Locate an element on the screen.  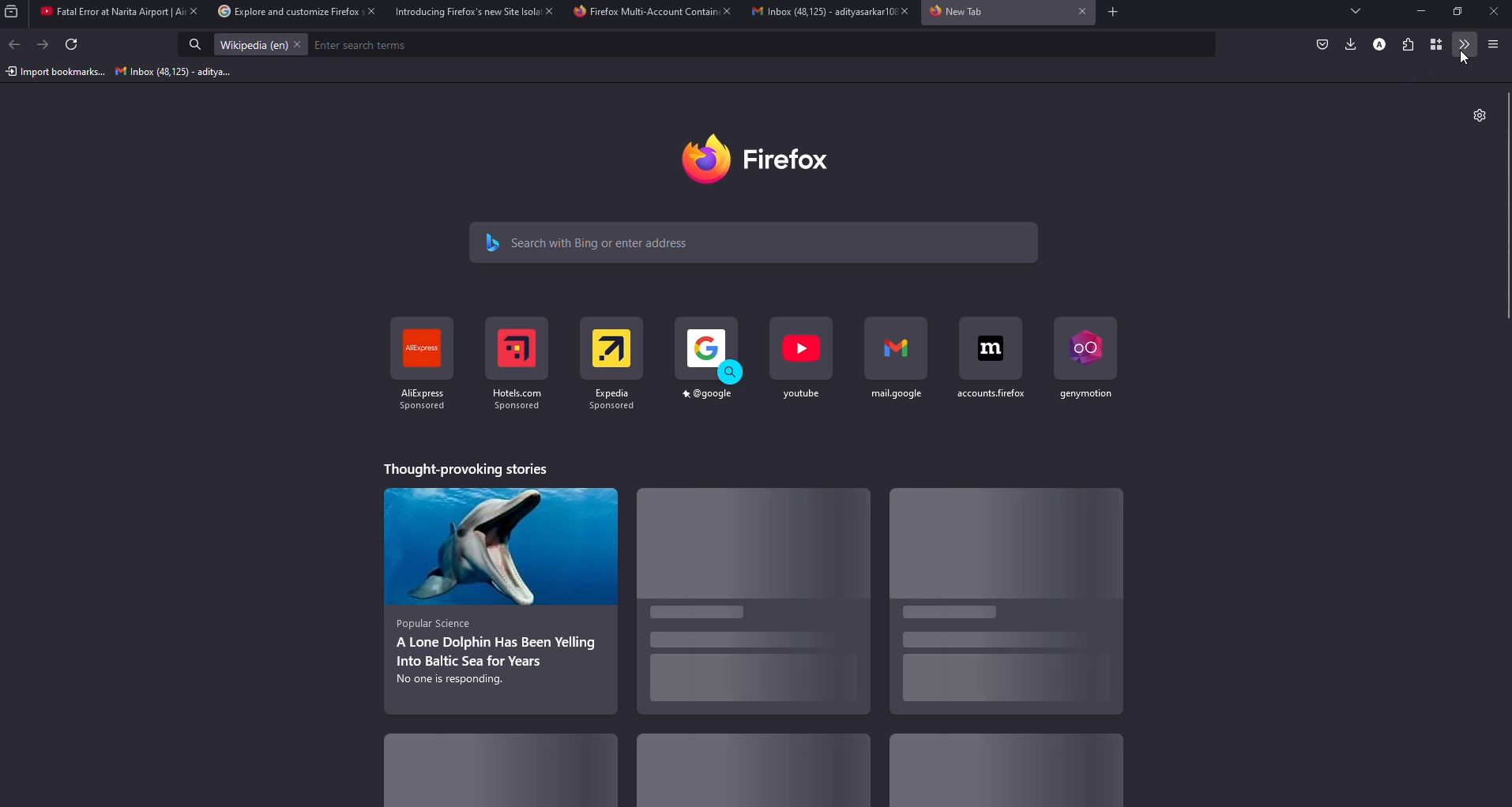
wiki is located at coordinates (251, 45).